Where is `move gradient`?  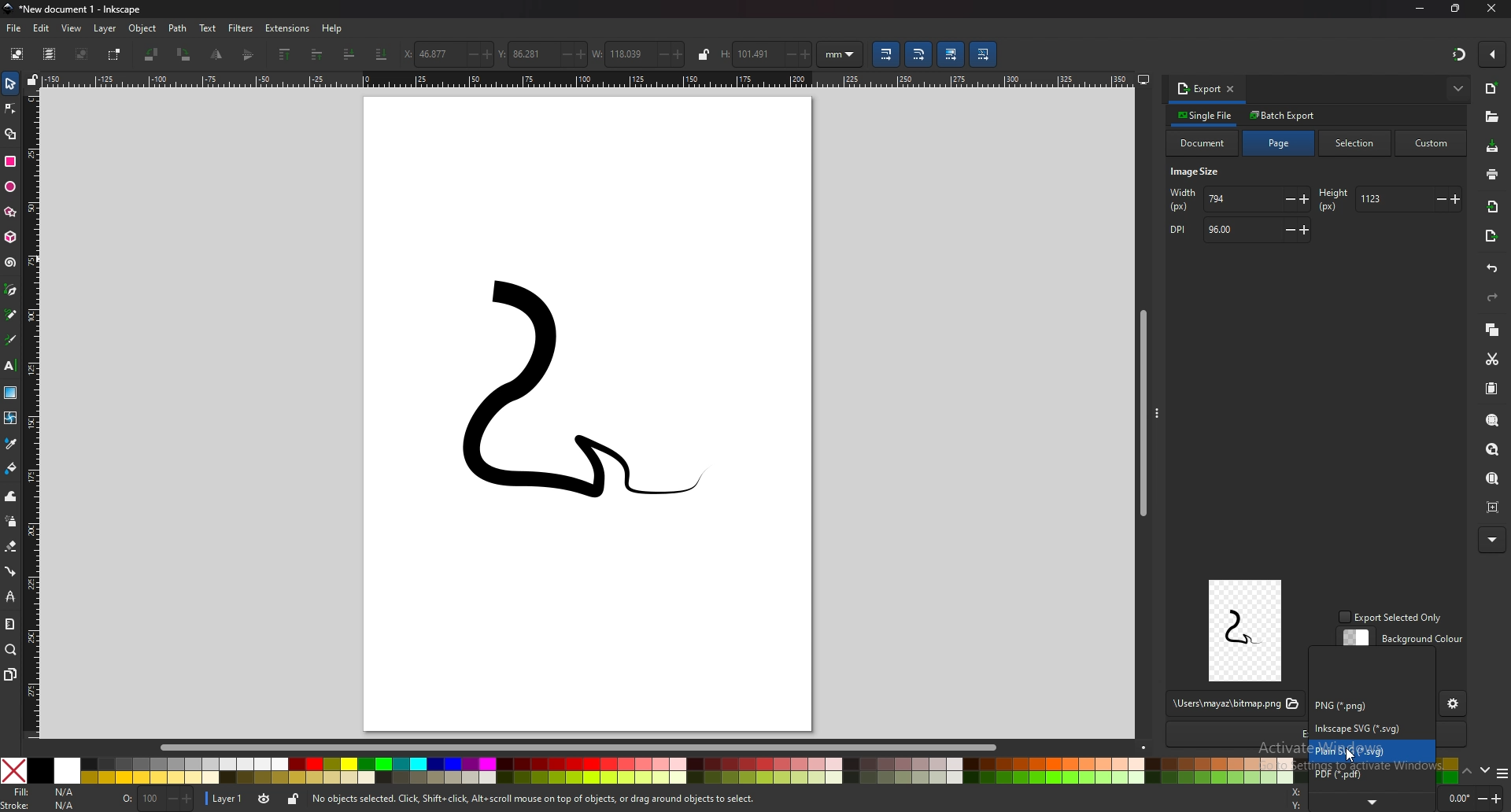
move gradient is located at coordinates (951, 55).